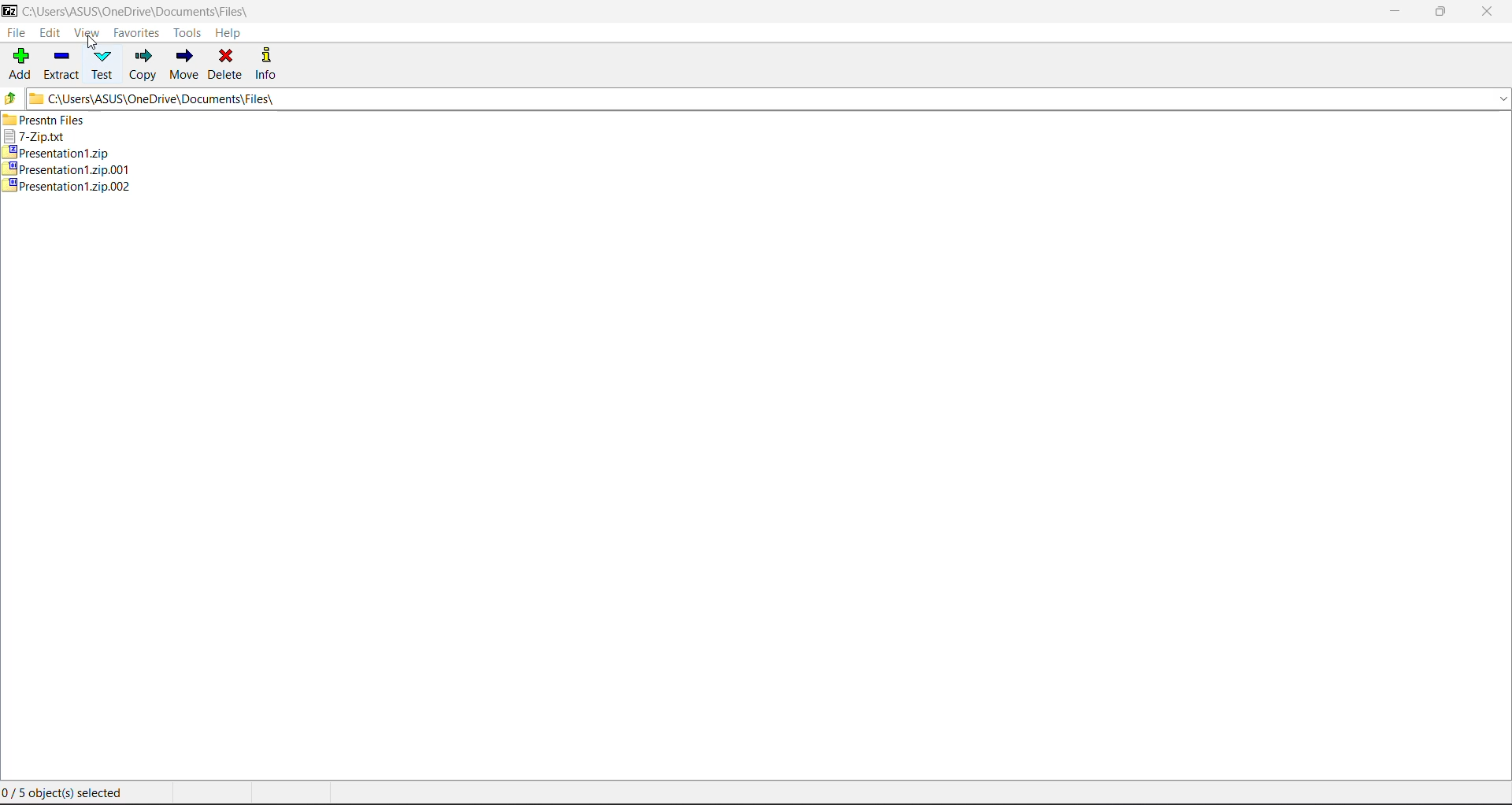 The width and height of the screenshot is (1512, 805). What do you see at coordinates (144, 65) in the screenshot?
I see `Copy` at bounding box center [144, 65].